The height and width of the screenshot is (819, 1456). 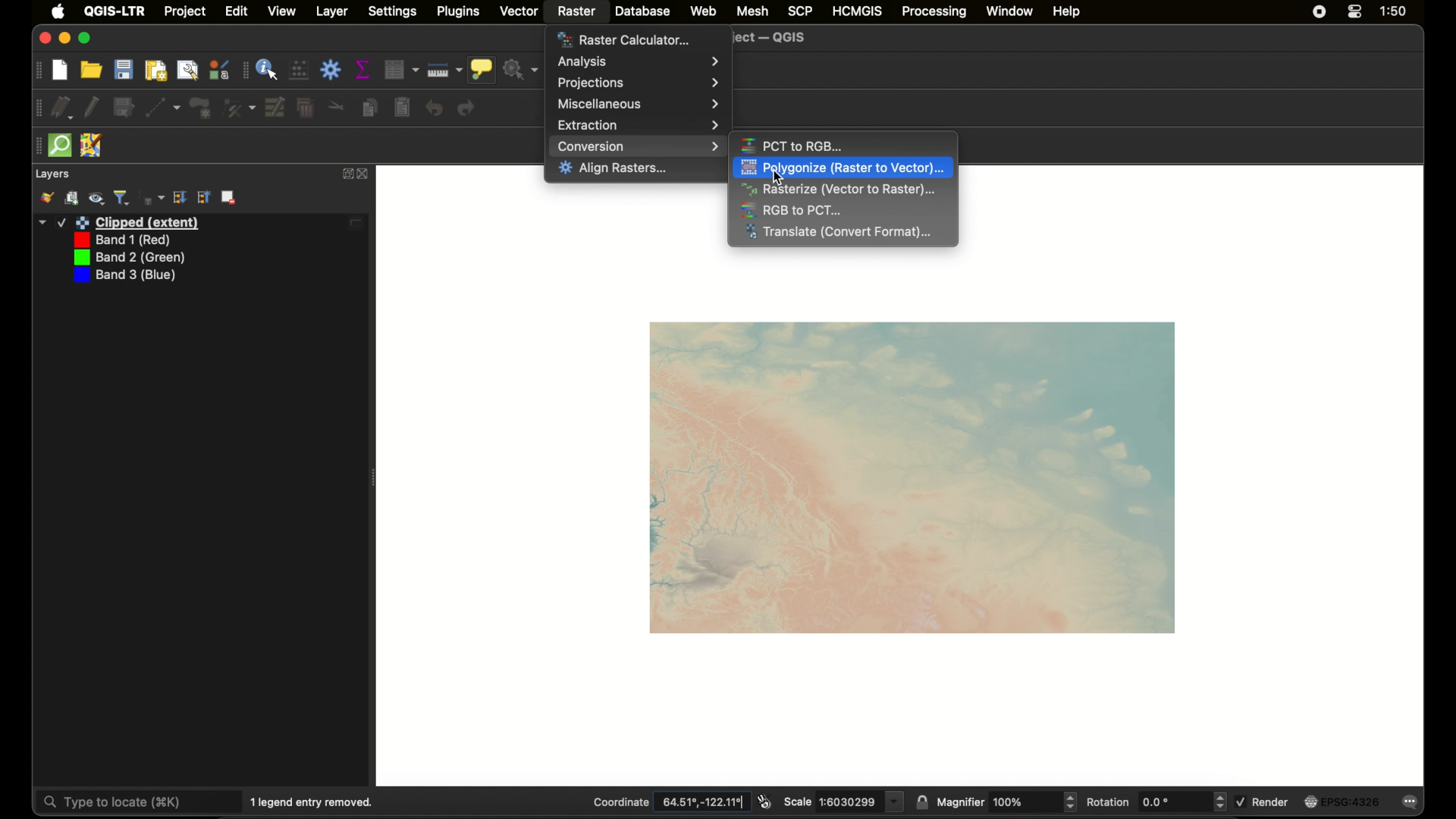 What do you see at coordinates (363, 69) in the screenshot?
I see `show statistical summary` at bounding box center [363, 69].